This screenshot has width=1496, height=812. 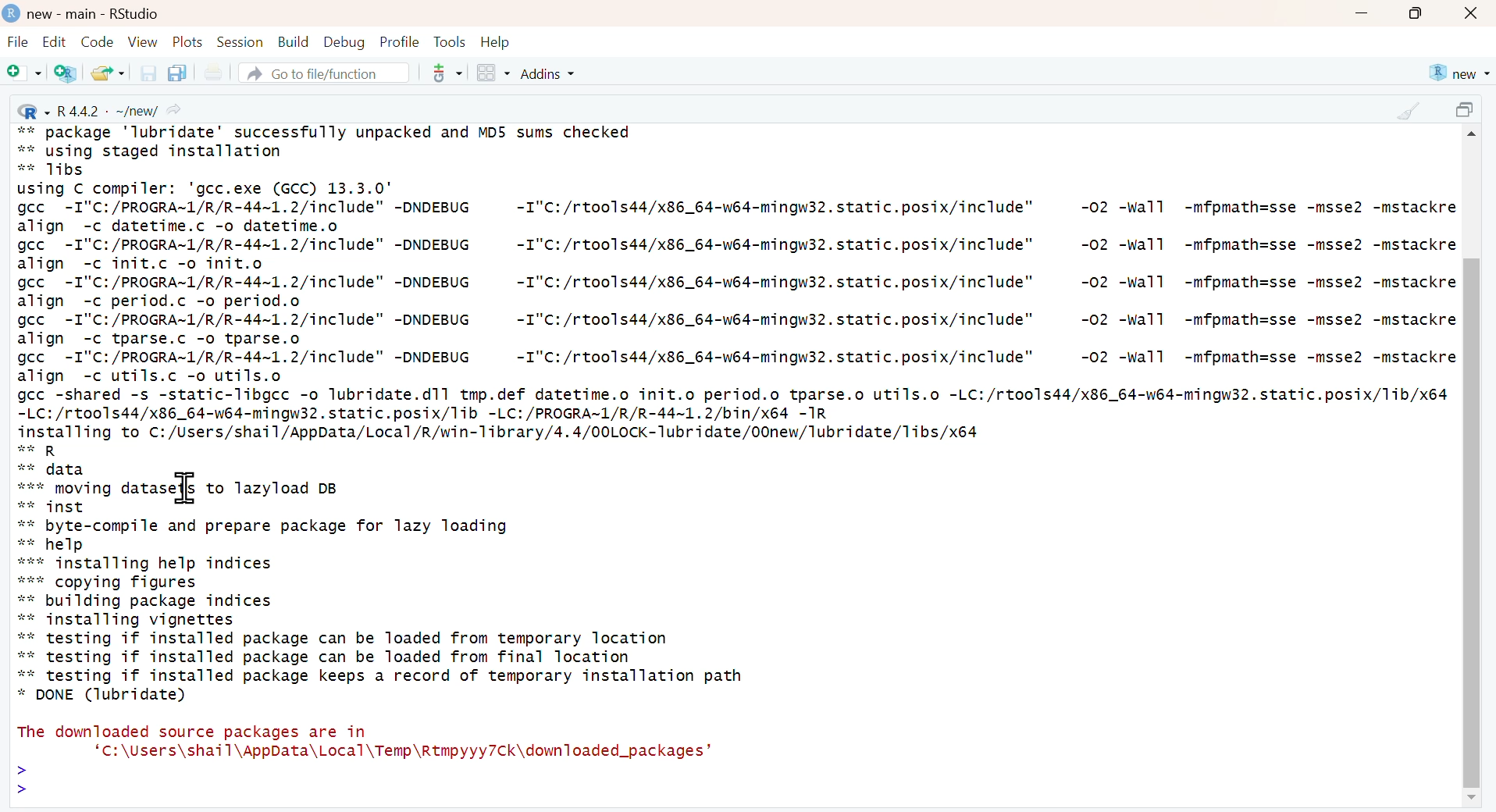 What do you see at coordinates (212, 73) in the screenshot?
I see `print` at bounding box center [212, 73].